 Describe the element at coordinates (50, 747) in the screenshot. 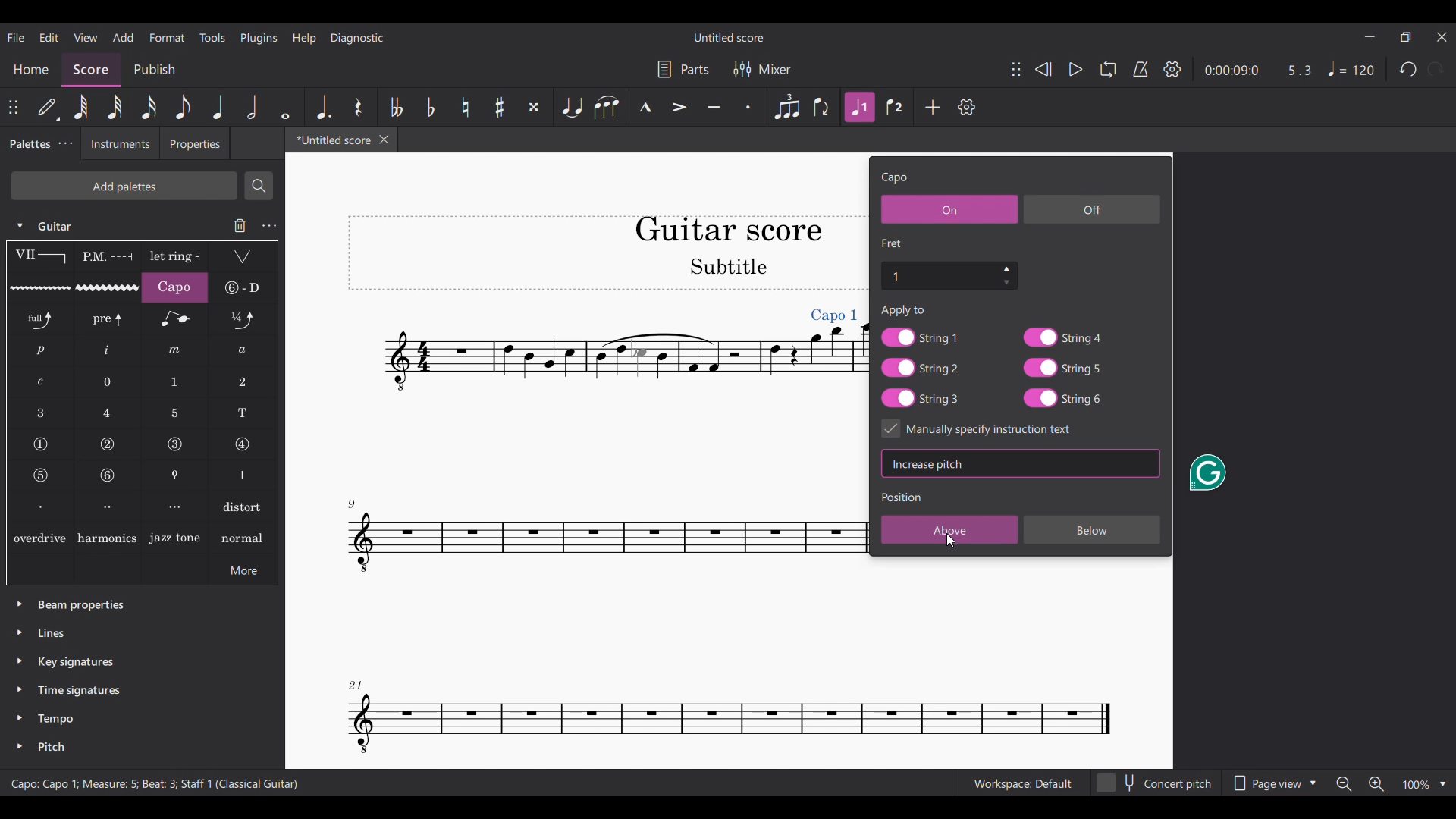

I see `Pitch` at that location.